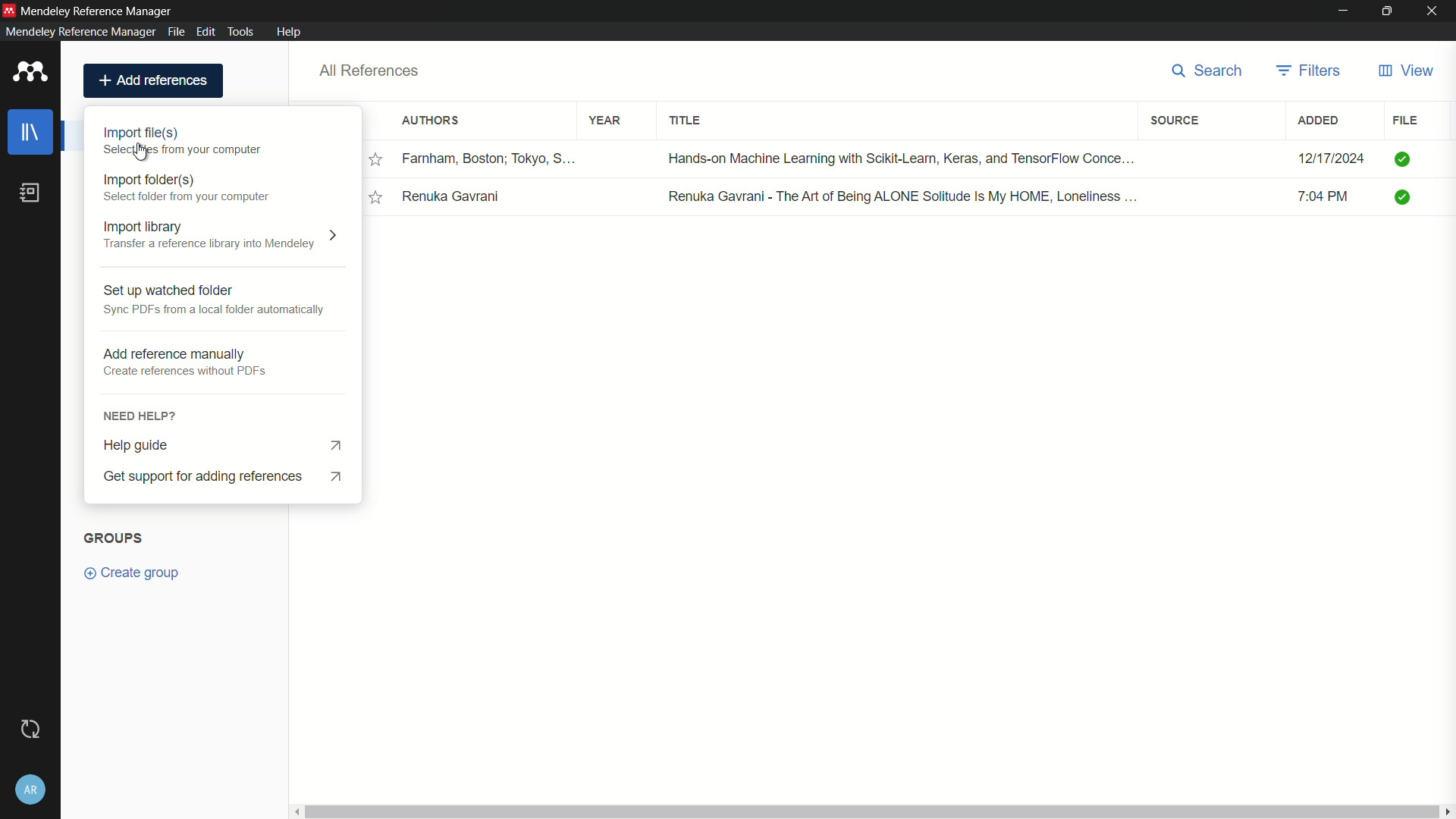 This screenshot has width=1456, height=819. What do you see at coordinates (376, 197) in the screenshot?
I see `favorites` at bounding box center [376, 197].